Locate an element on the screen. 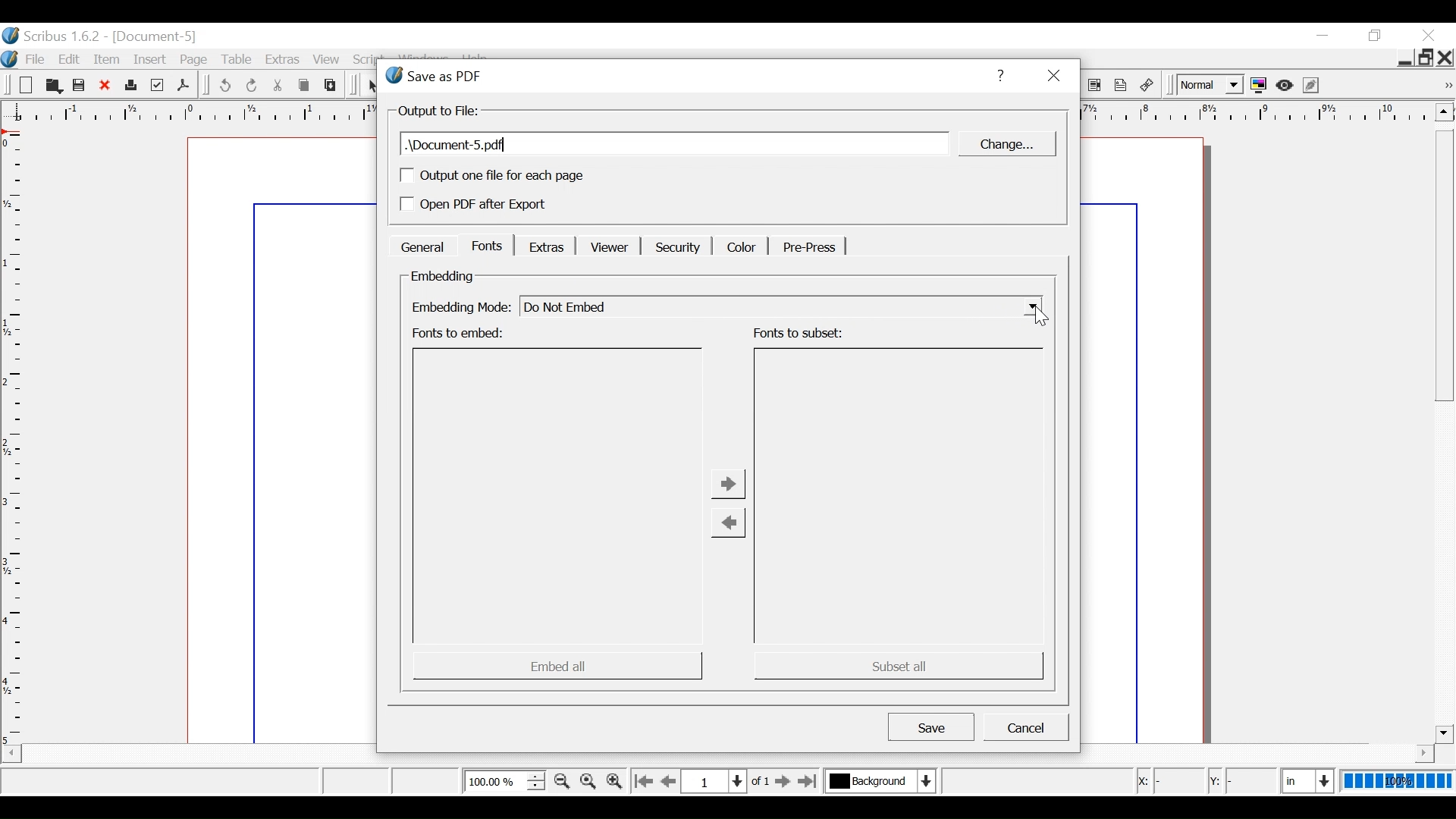 The height and width of the screenshot is (819, 1456). Subset all is located at coordinates (896, 665).